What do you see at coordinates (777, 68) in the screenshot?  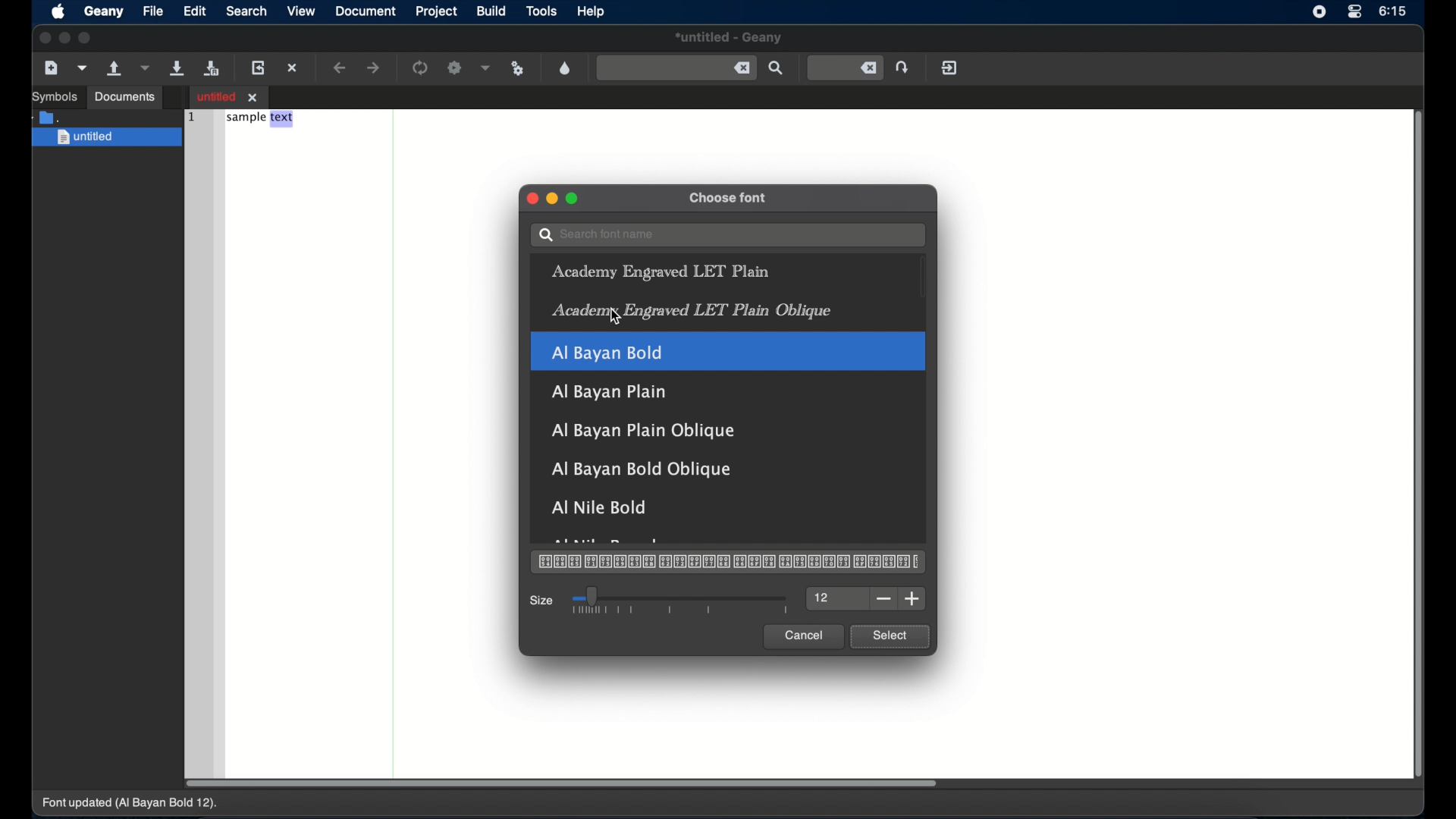 I see `find the entered text in the current file` at bounding box center [777, 68].